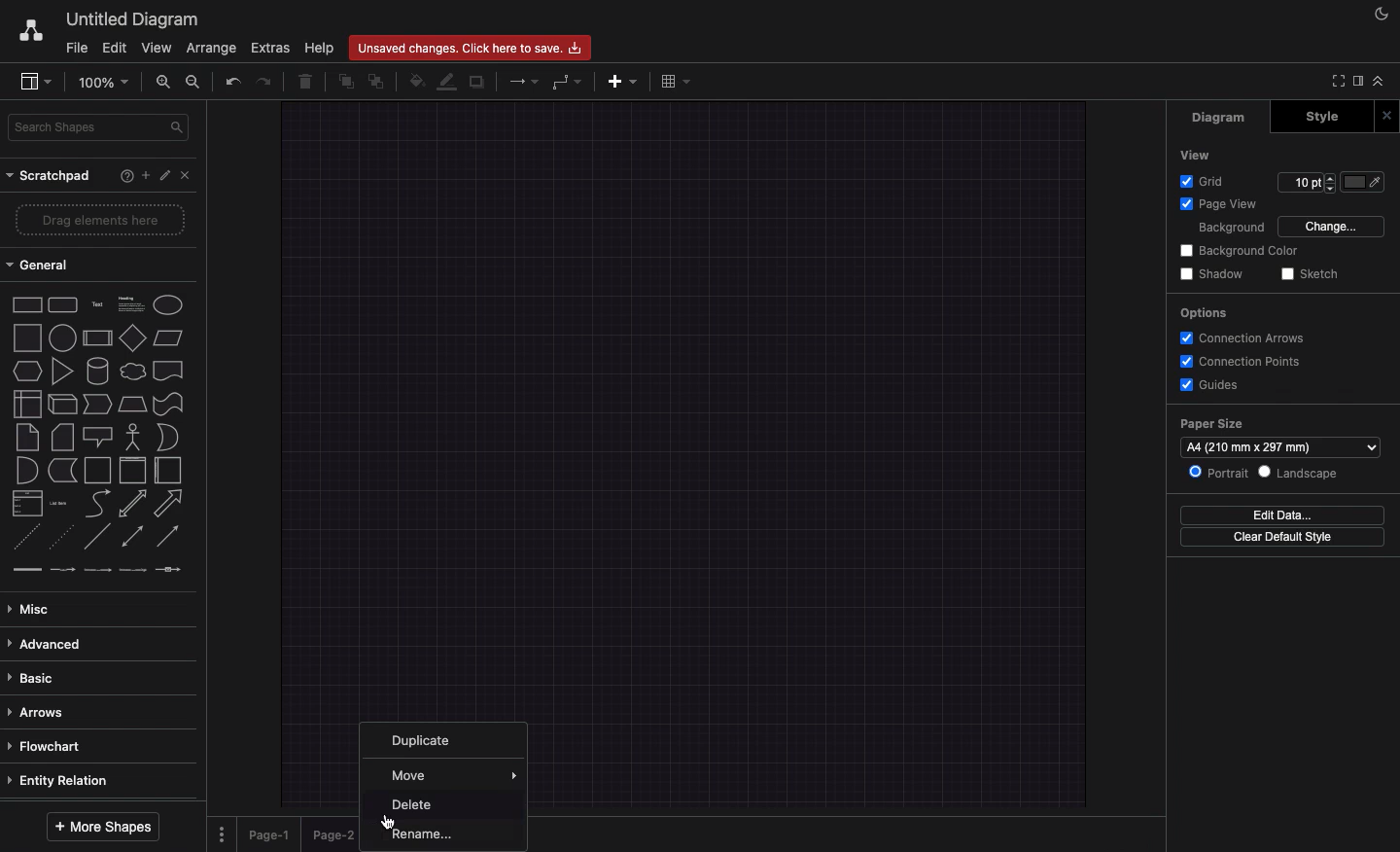 Image resolution: width=1400 pixels, height=852 pixels. Describe the element at coordinates (1197, 155) in the screenshot. I see `View` at that location.